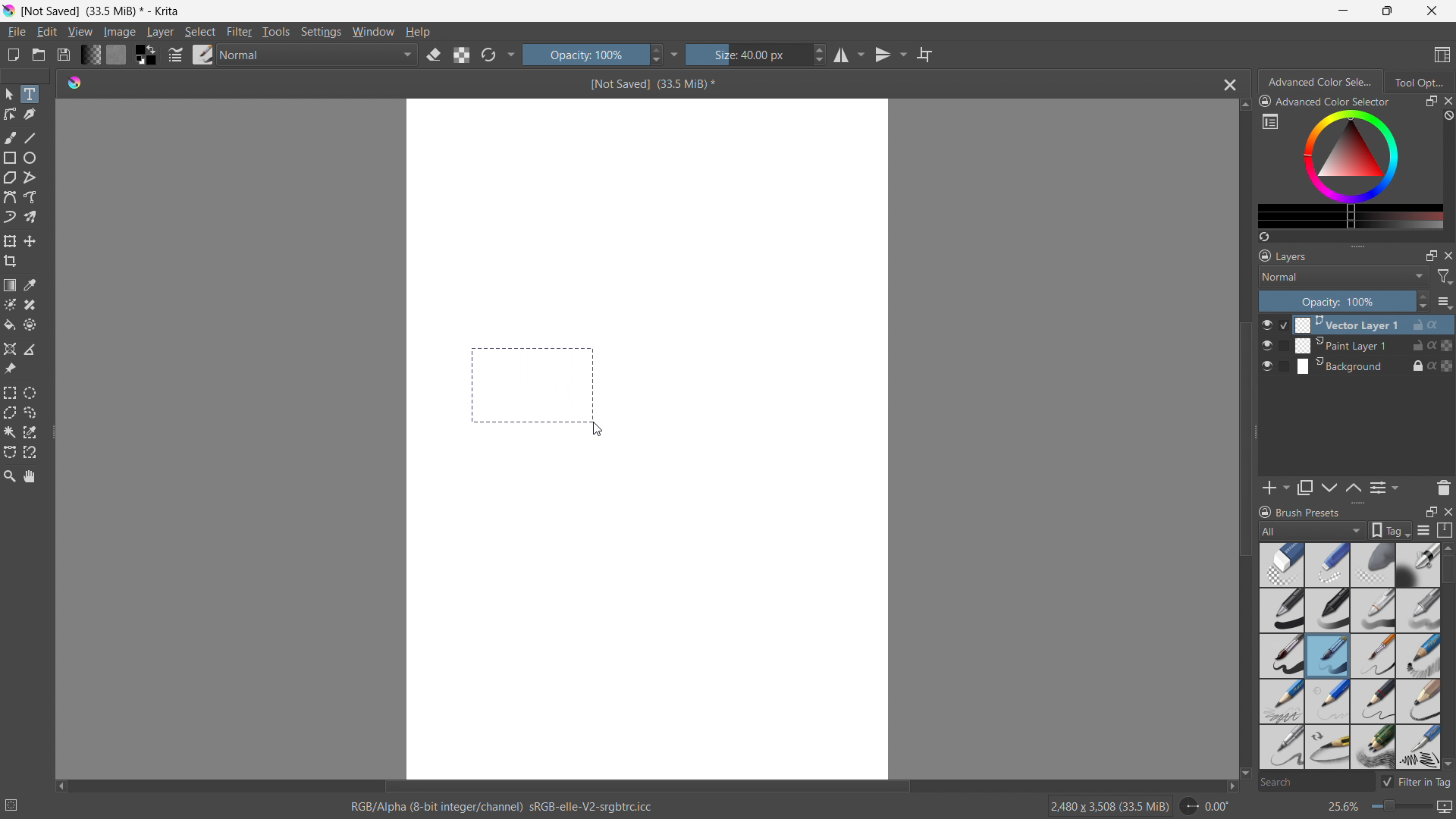 The width and height of the screenshot is (1456, 819). I want to click on zoom level, so click(1389, 808).